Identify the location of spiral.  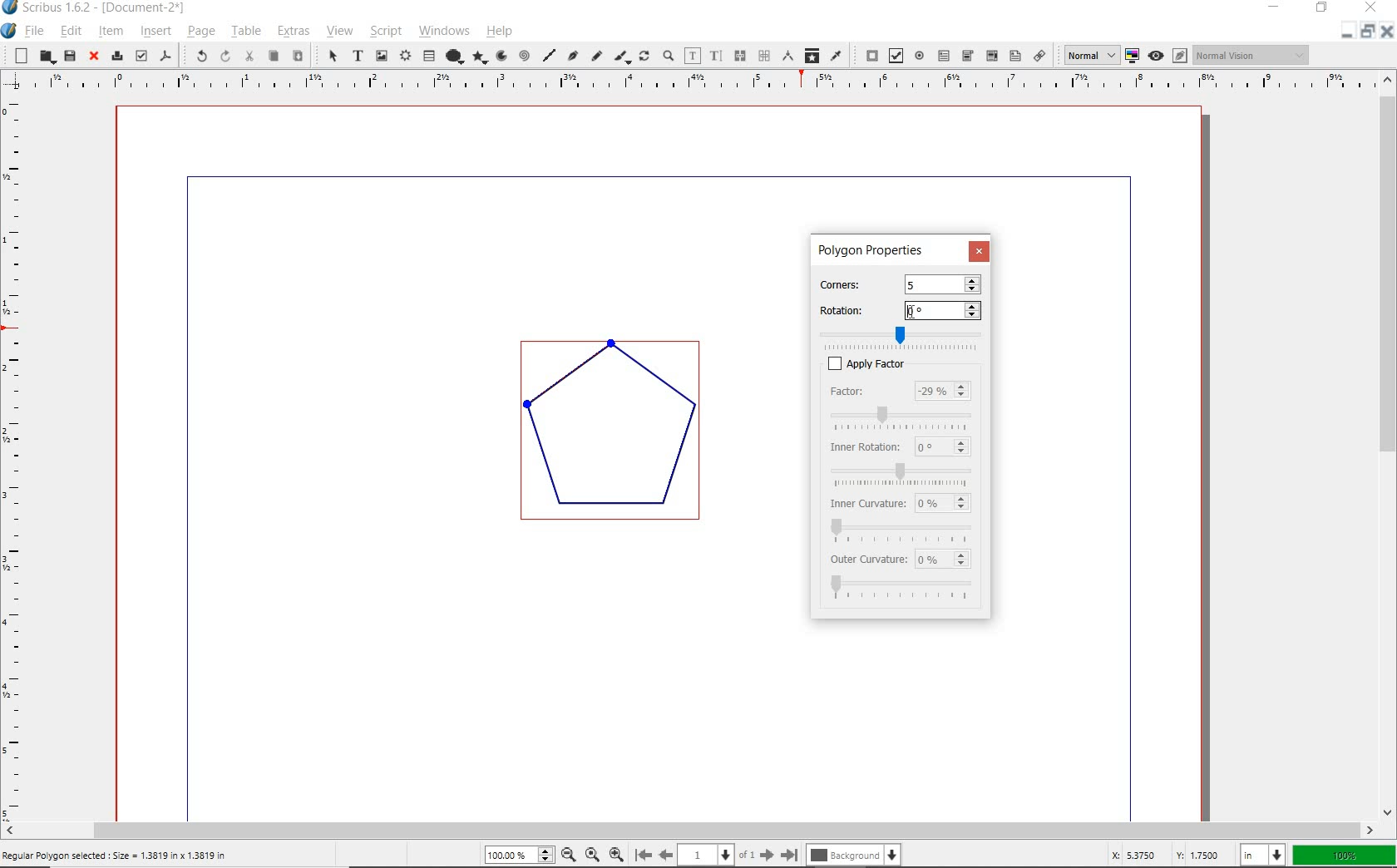
(525, 53).